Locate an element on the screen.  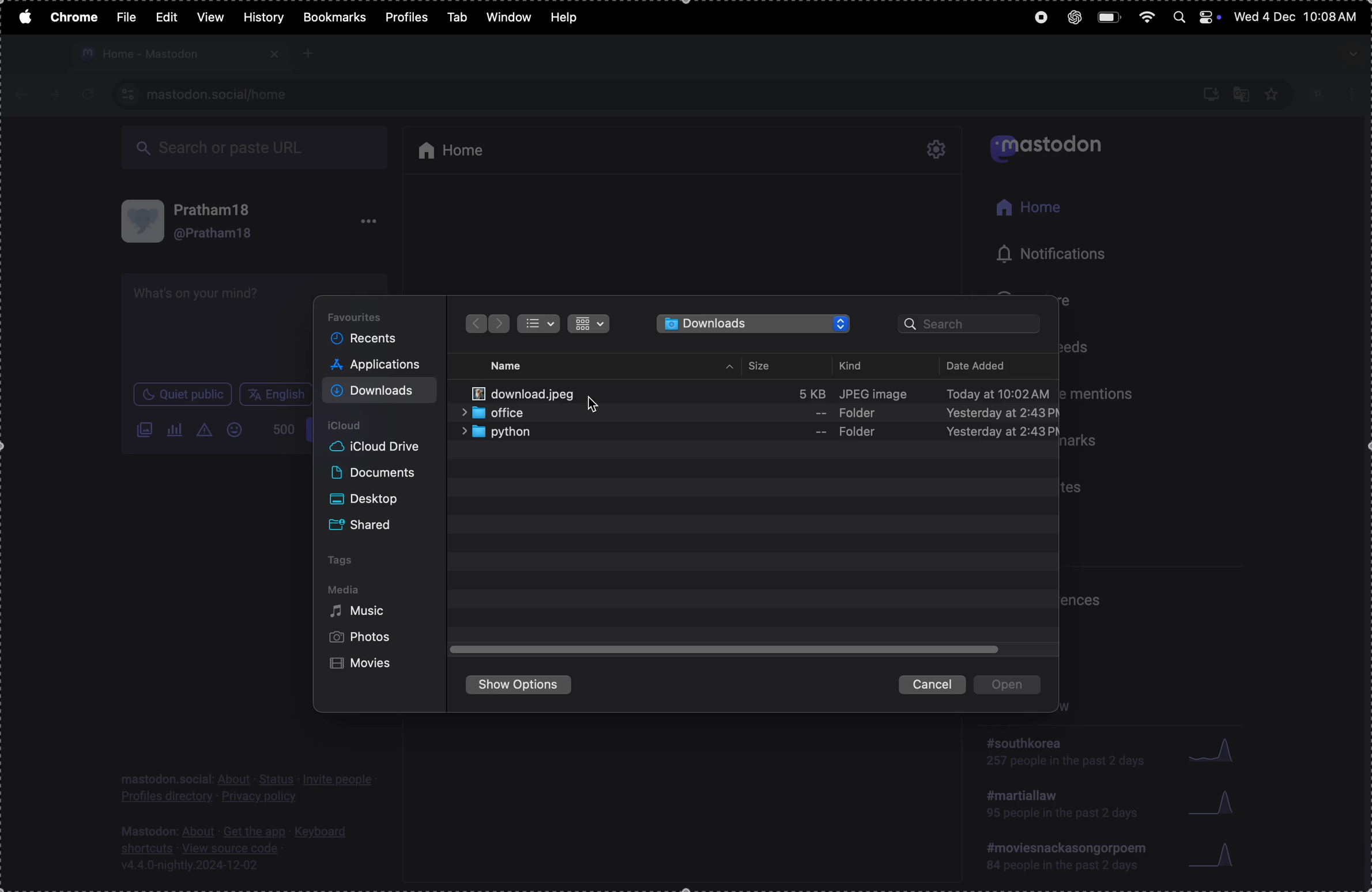
Bullet list is located at coordinates (539, 324).